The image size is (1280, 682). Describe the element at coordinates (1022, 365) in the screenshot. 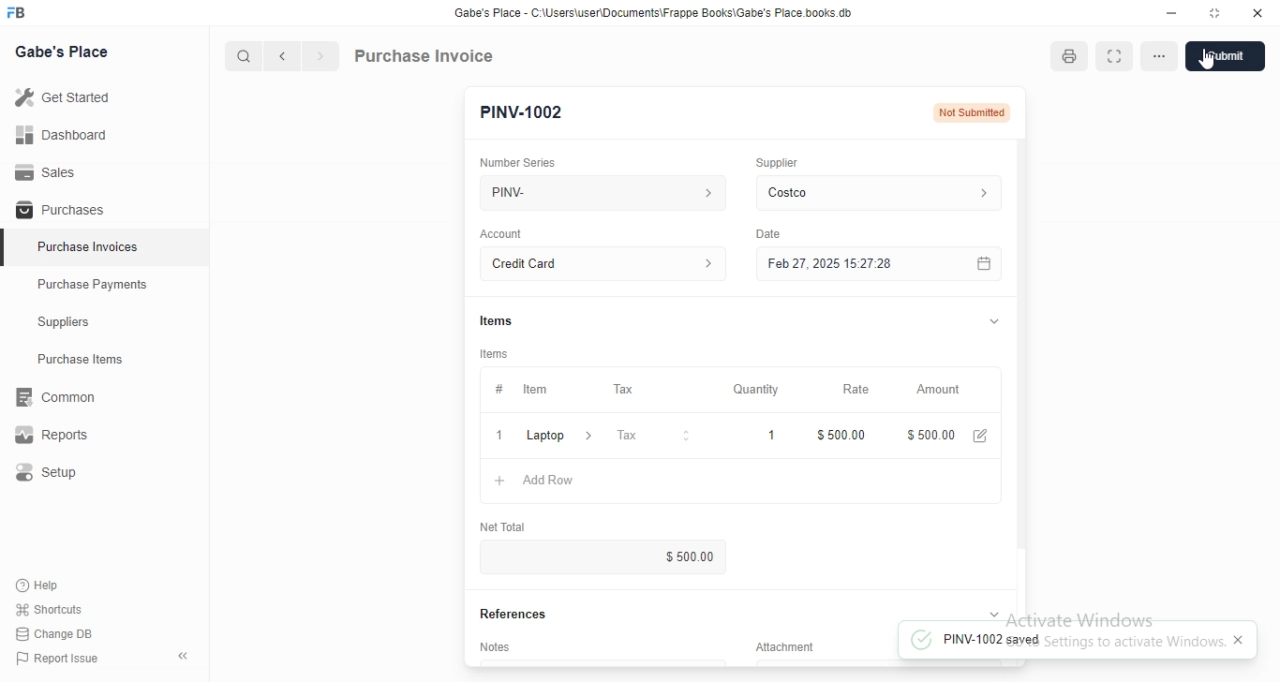

I see `Vertical slide bar` at that location.